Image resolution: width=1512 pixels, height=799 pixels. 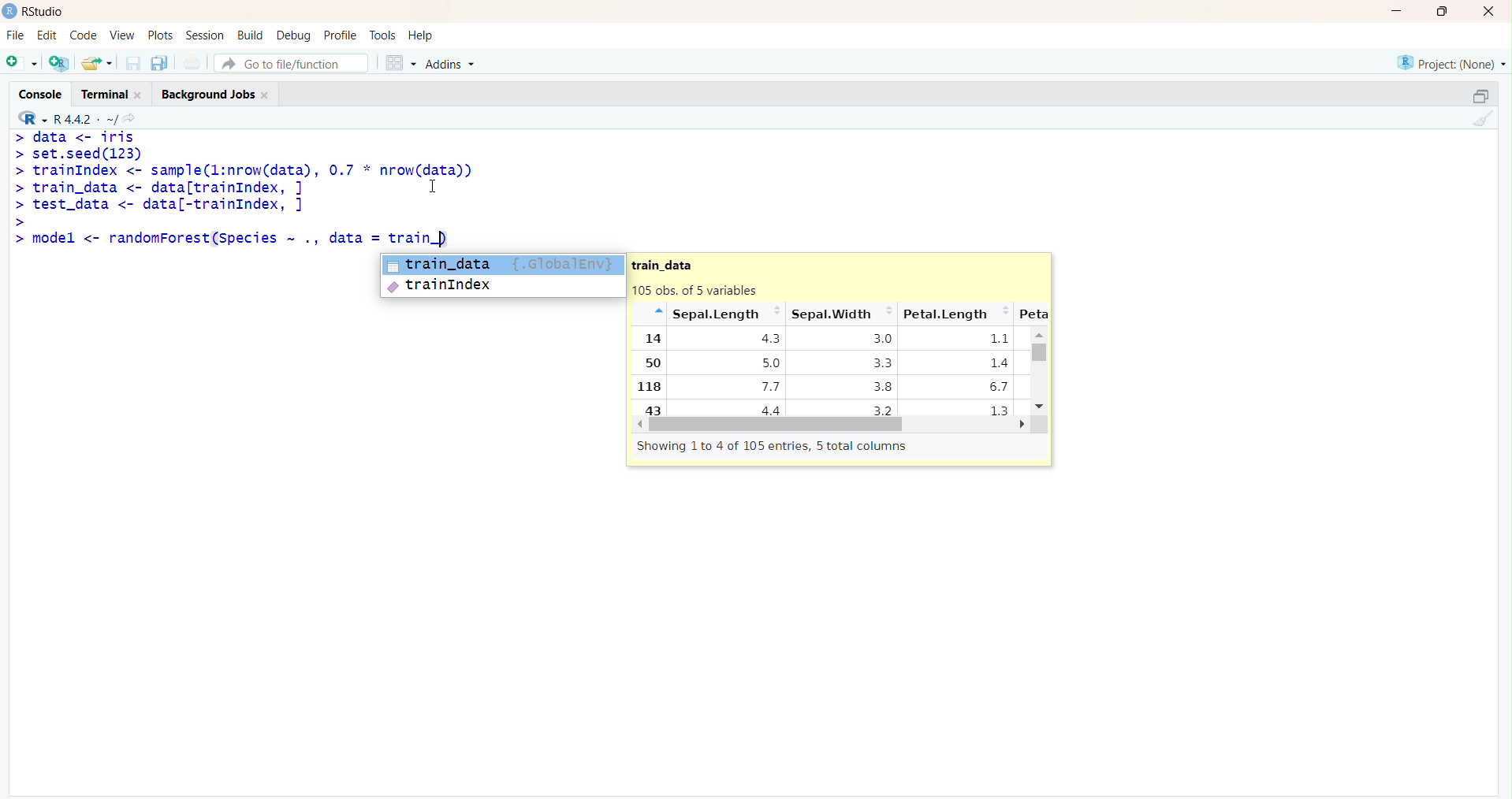 What do you see at coordinates (1398, 10) in the screenshot?
I see `Minimize` at bounding box center [1398, 10].